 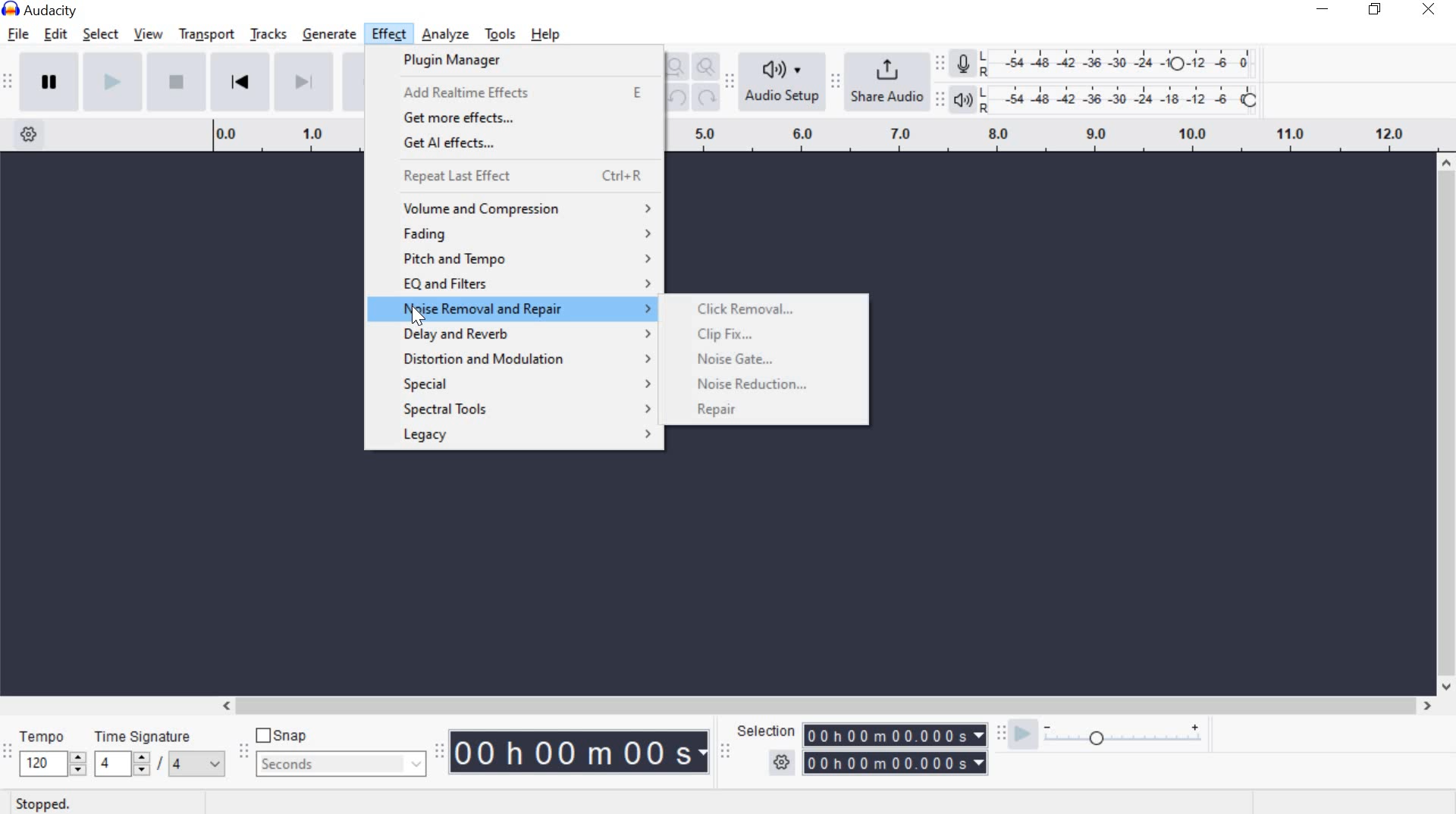 What do you see at coordinates (1127, 739) in the screenshot?
I see `plat at speed` at bounding box center [1127, 739].